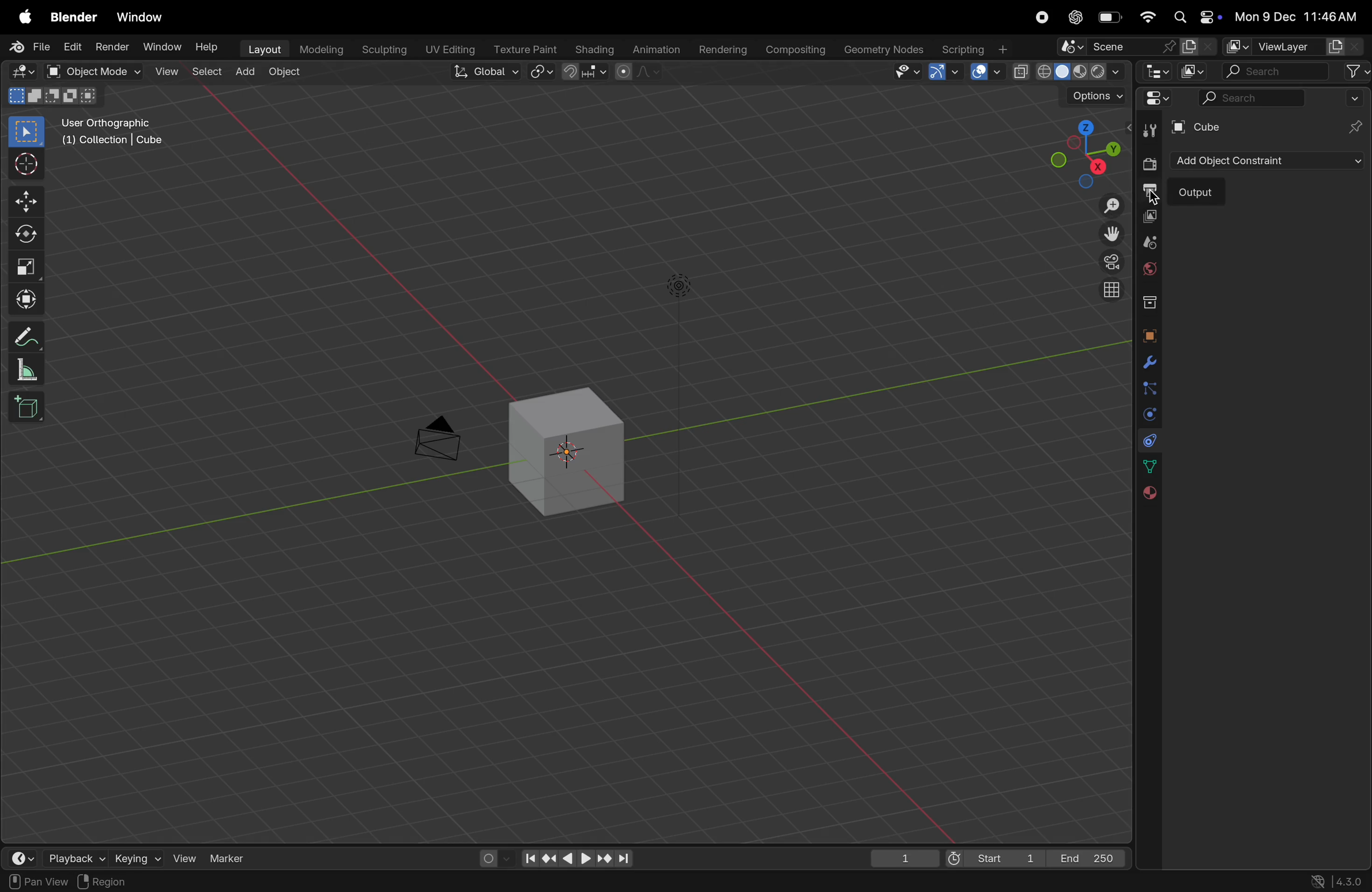  Describe the element at coordinates (1148, 439) in the screenshot. I see `constarints` at that location.